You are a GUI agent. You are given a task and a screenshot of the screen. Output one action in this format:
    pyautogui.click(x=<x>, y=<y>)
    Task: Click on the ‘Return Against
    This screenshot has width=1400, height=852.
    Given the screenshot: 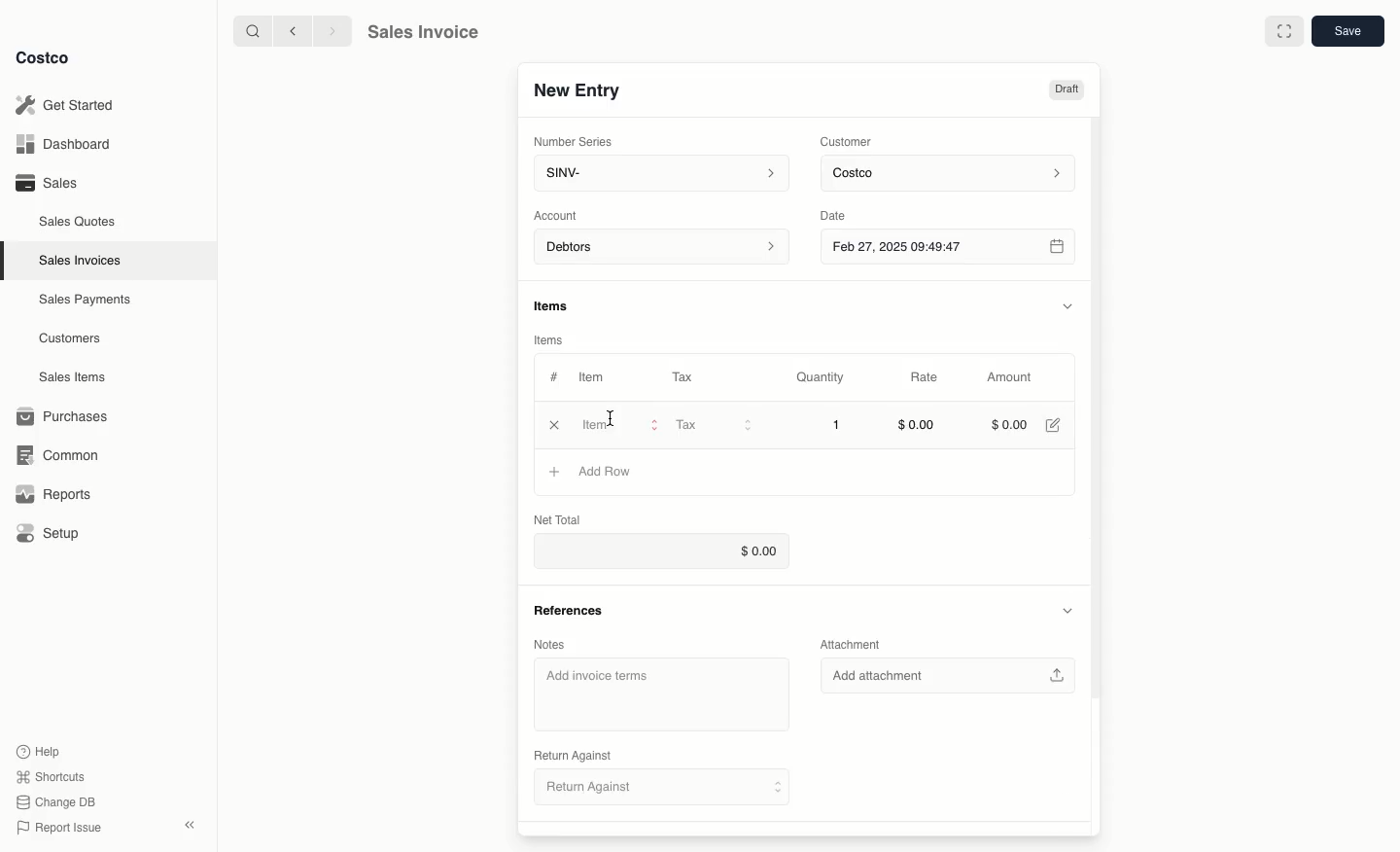 What is the action you would take?
    pyautogui.click(x=571, y=757)
    